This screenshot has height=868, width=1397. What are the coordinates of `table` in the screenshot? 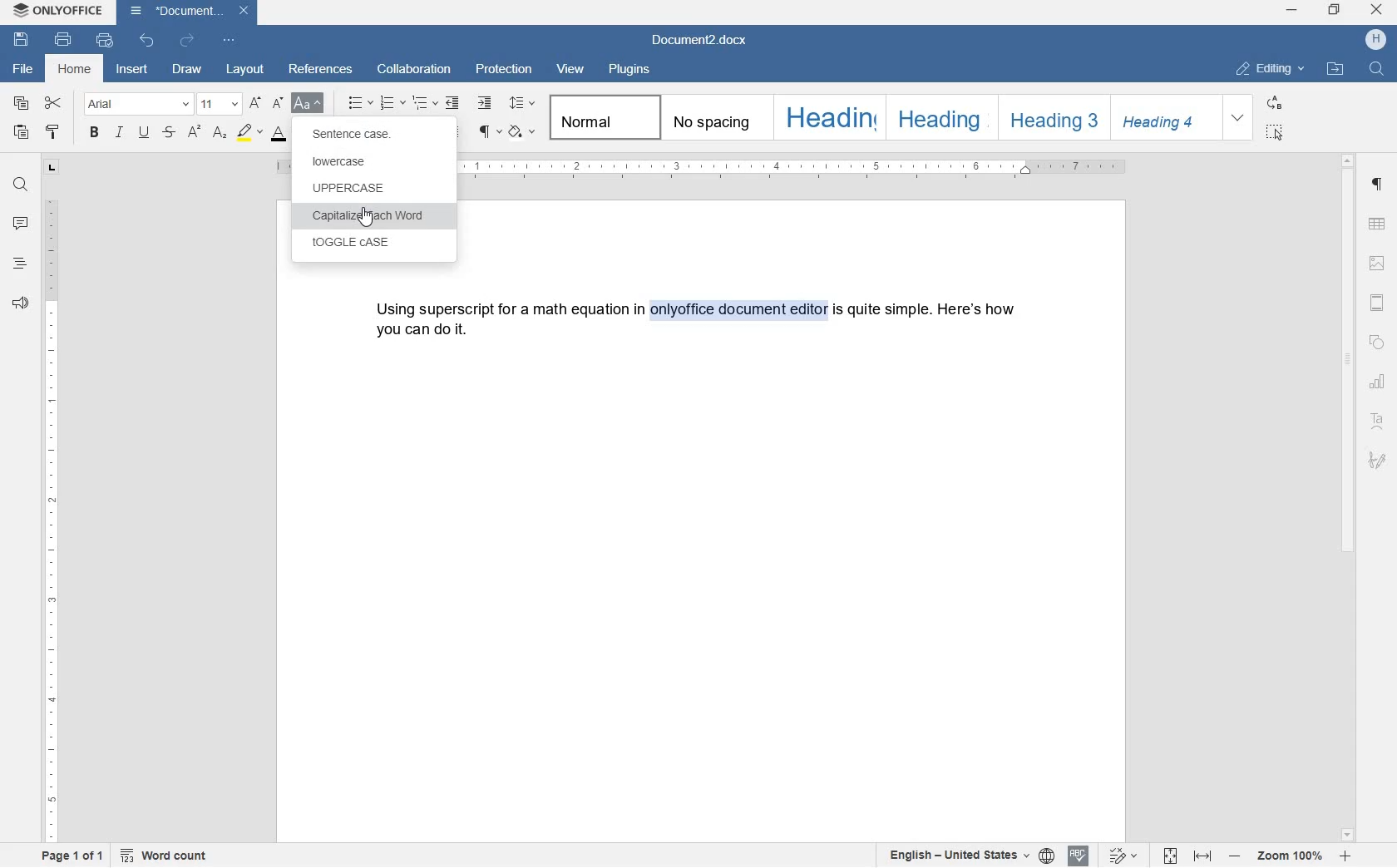 It's located at (1378, 224).